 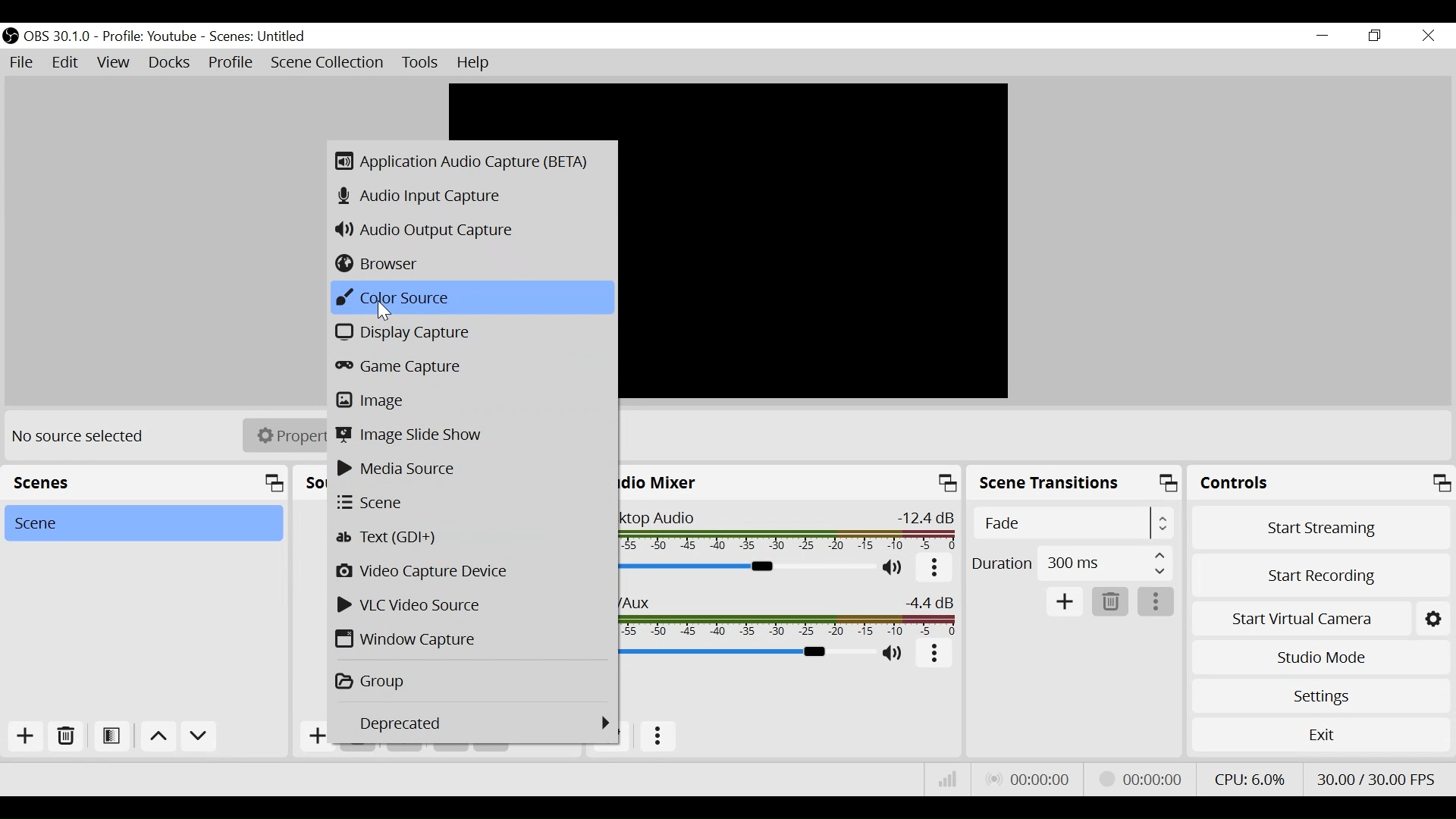 I want to click on move up, so click(x=157, y=736).